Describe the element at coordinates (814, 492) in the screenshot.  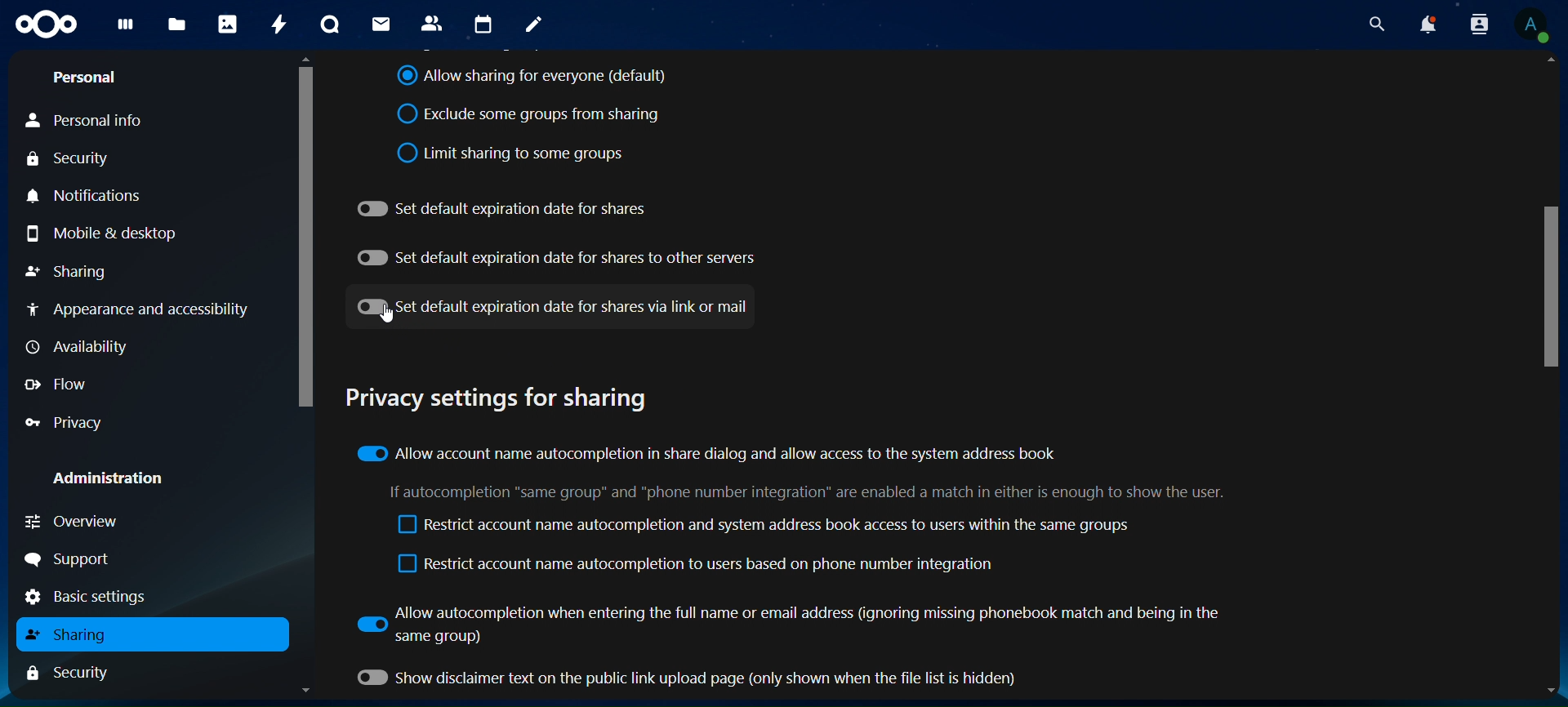
I see `text` at that location.